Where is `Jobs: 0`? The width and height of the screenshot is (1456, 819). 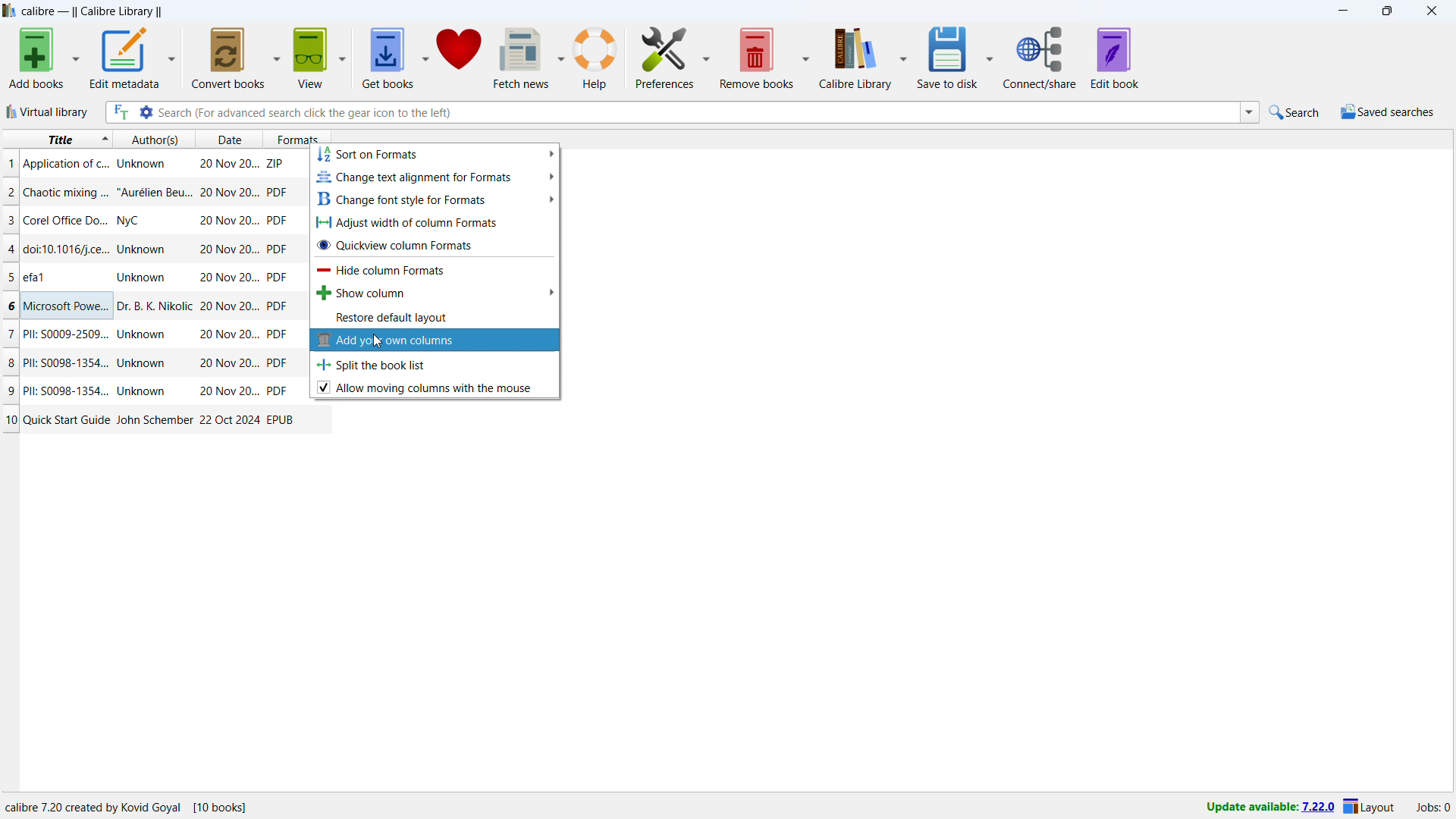
Jobs: 0 is located at coordinates (1432, 806).